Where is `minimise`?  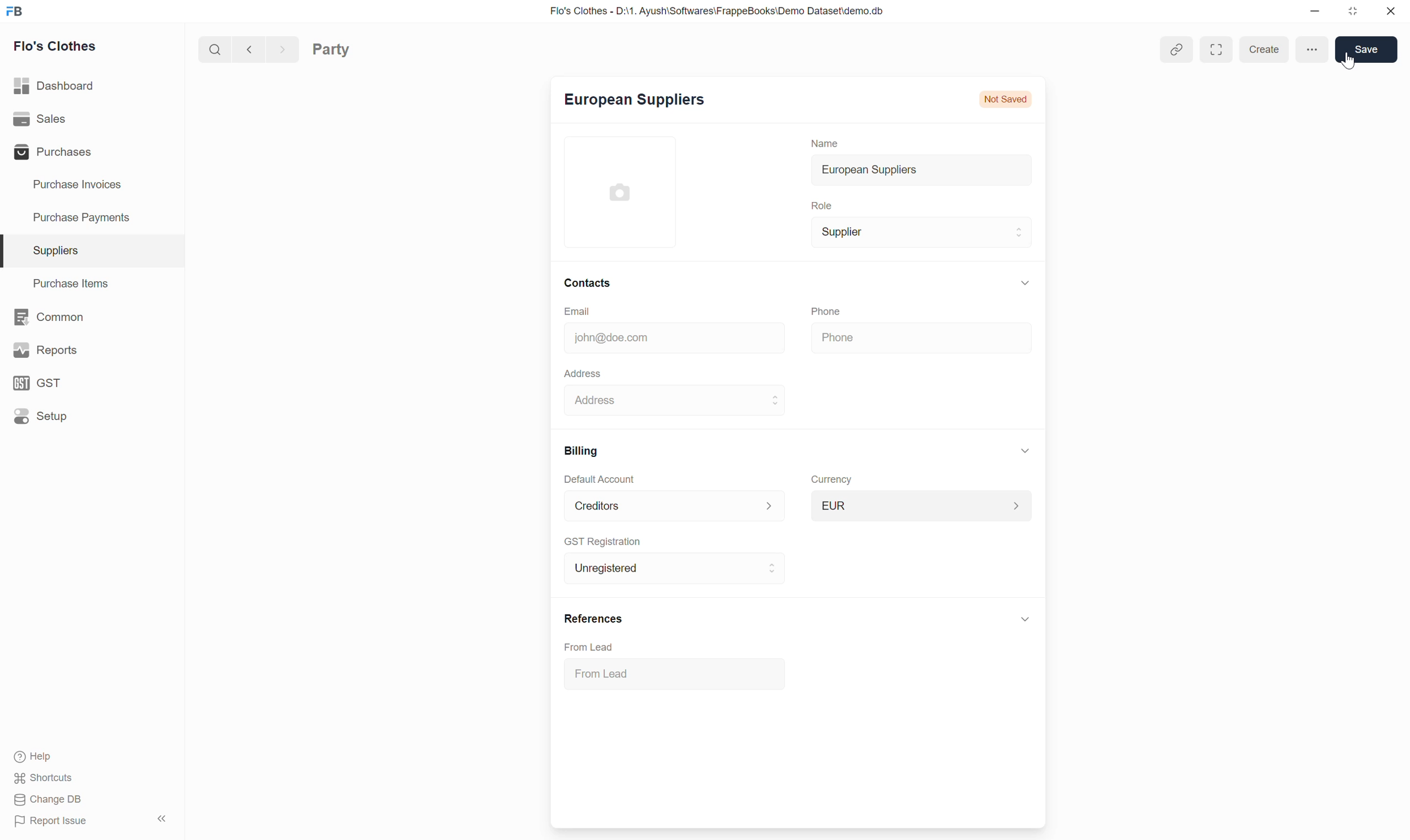 minimise is located at coordinates (1312, 11).